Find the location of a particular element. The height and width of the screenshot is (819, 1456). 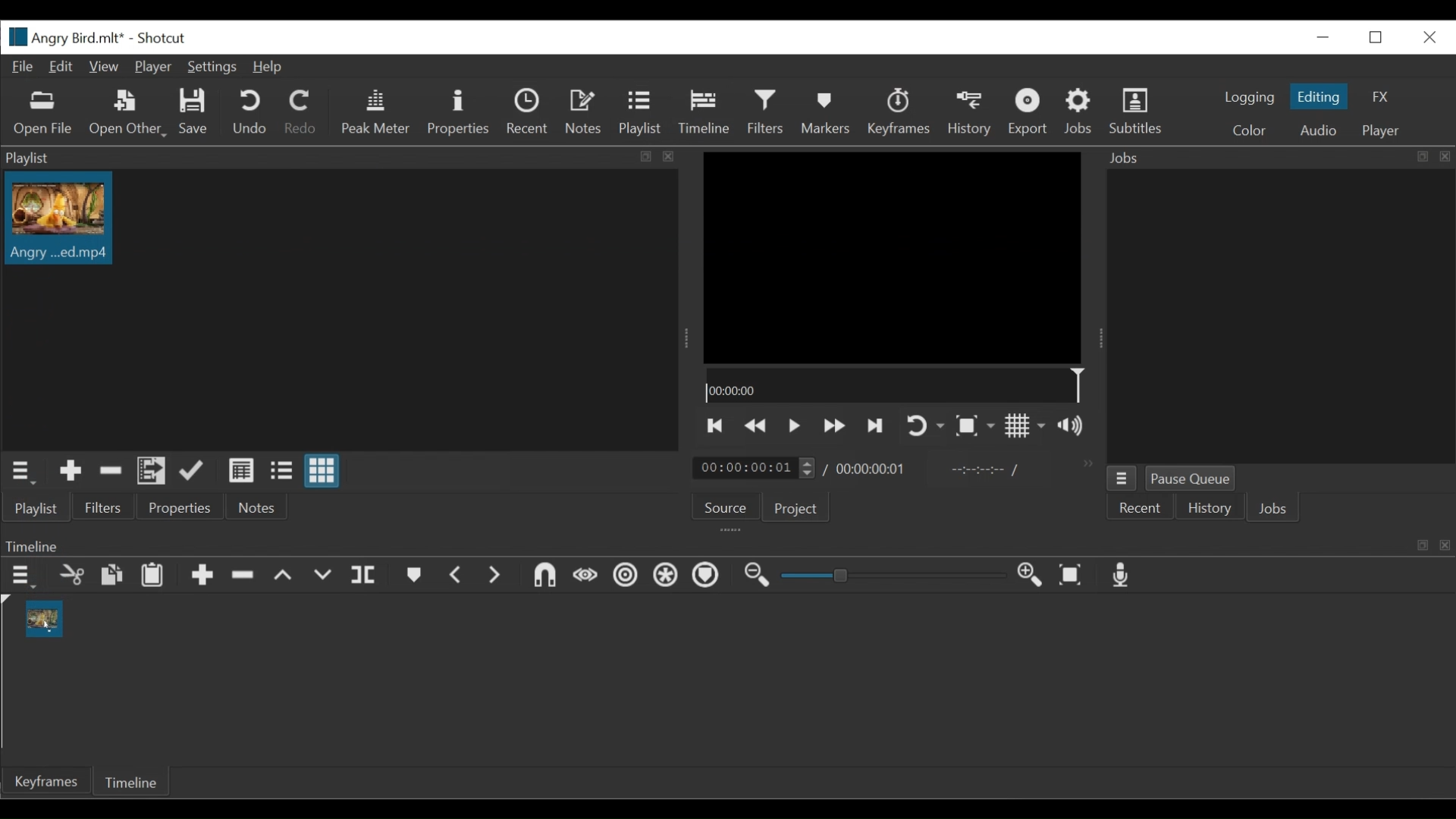

Redo is located at coordinates (300, 111).